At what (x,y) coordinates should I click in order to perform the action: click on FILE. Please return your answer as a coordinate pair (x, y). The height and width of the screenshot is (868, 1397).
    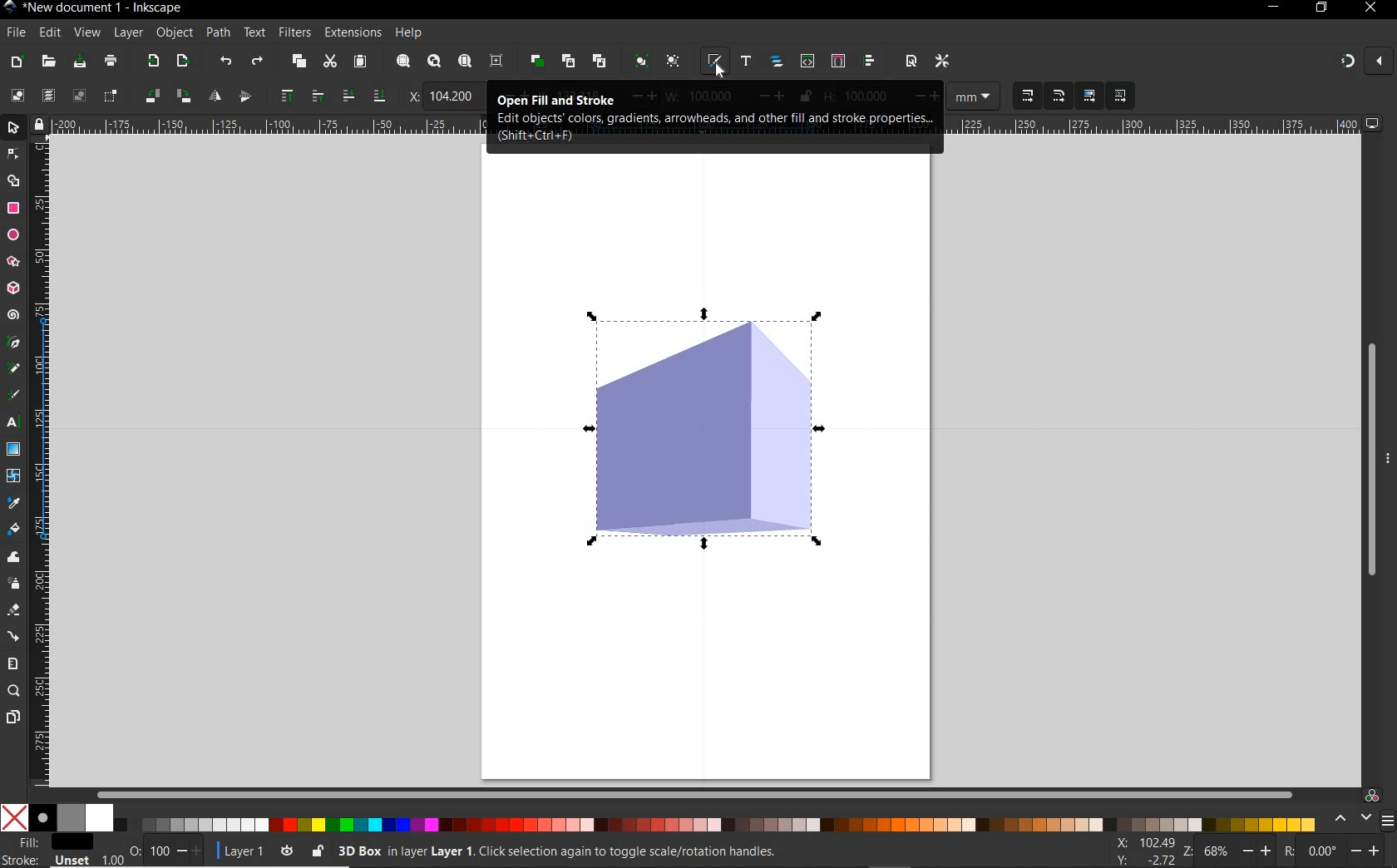
    Looking at the image, I should click on (15, 33).